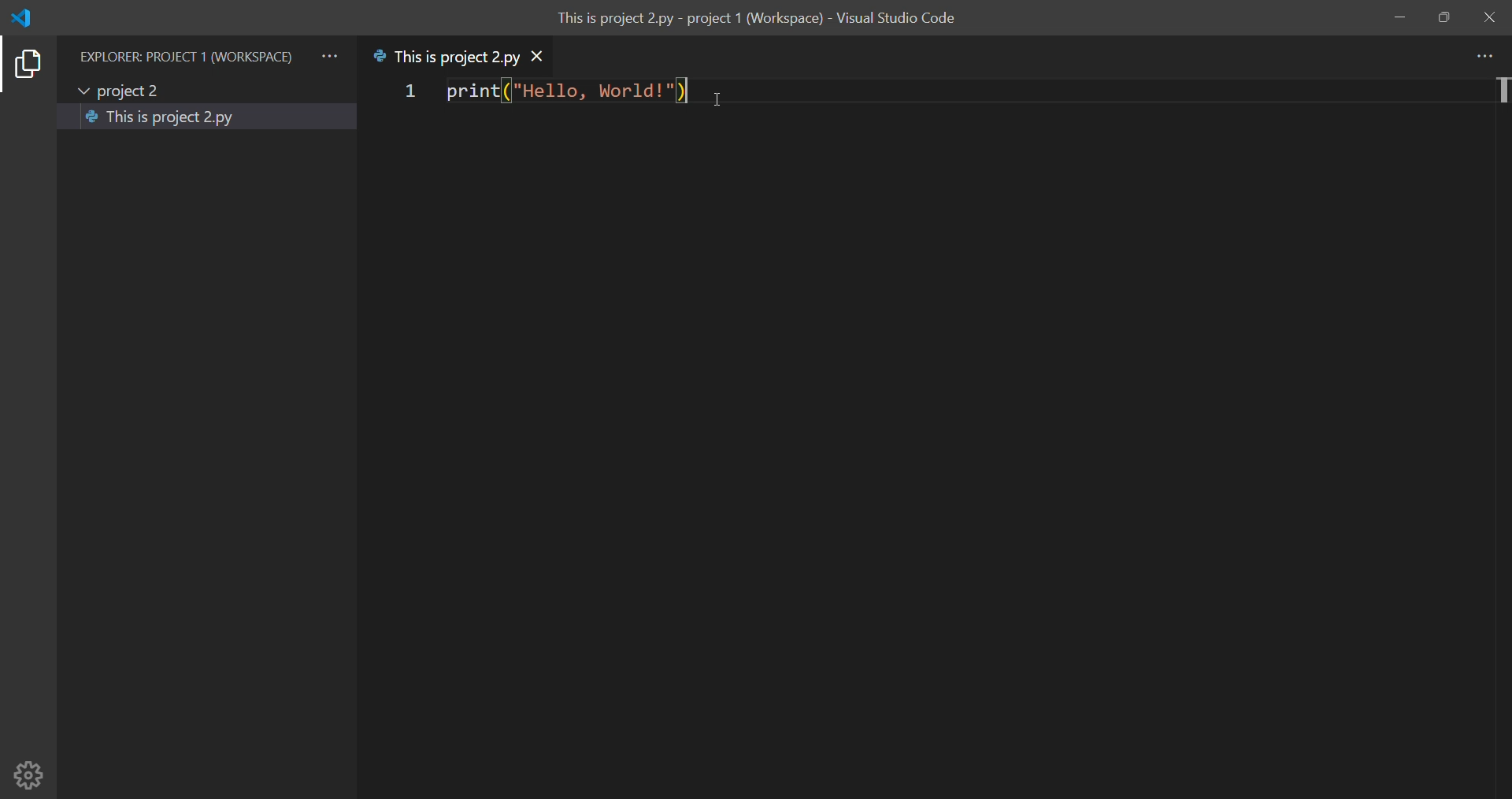  I want to click on logo, so click(28, 17).